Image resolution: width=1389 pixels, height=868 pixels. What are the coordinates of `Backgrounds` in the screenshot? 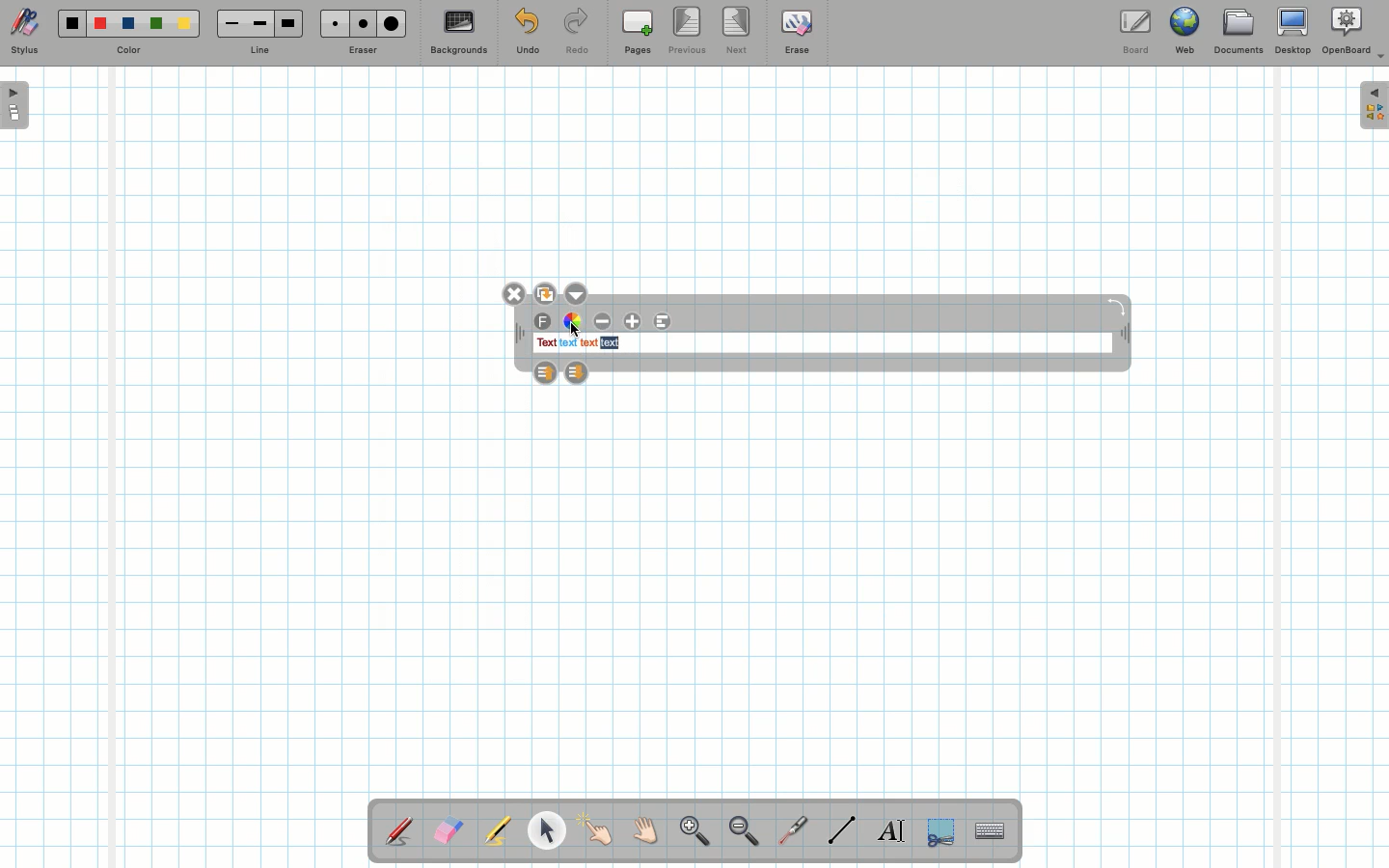 It's located at (458, 33).